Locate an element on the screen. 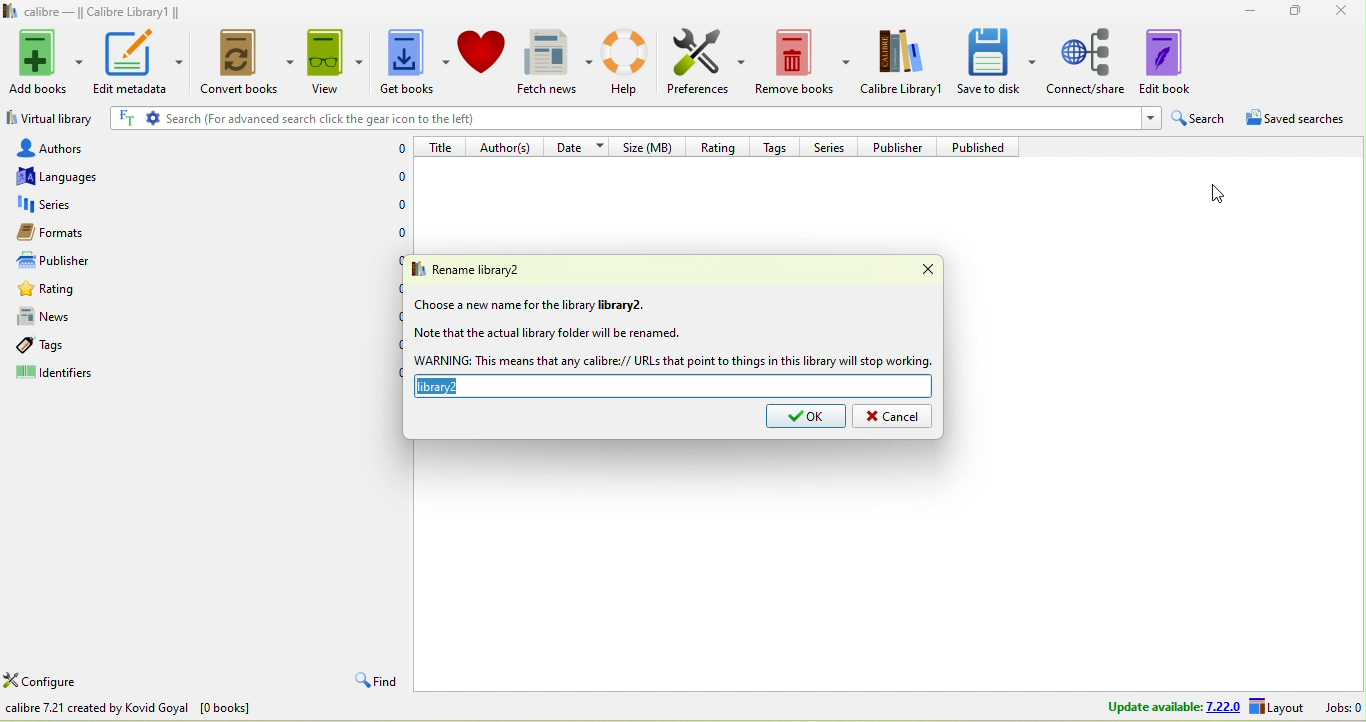  note that the actual library folder will be renamed is located at coordinates (547, 334).